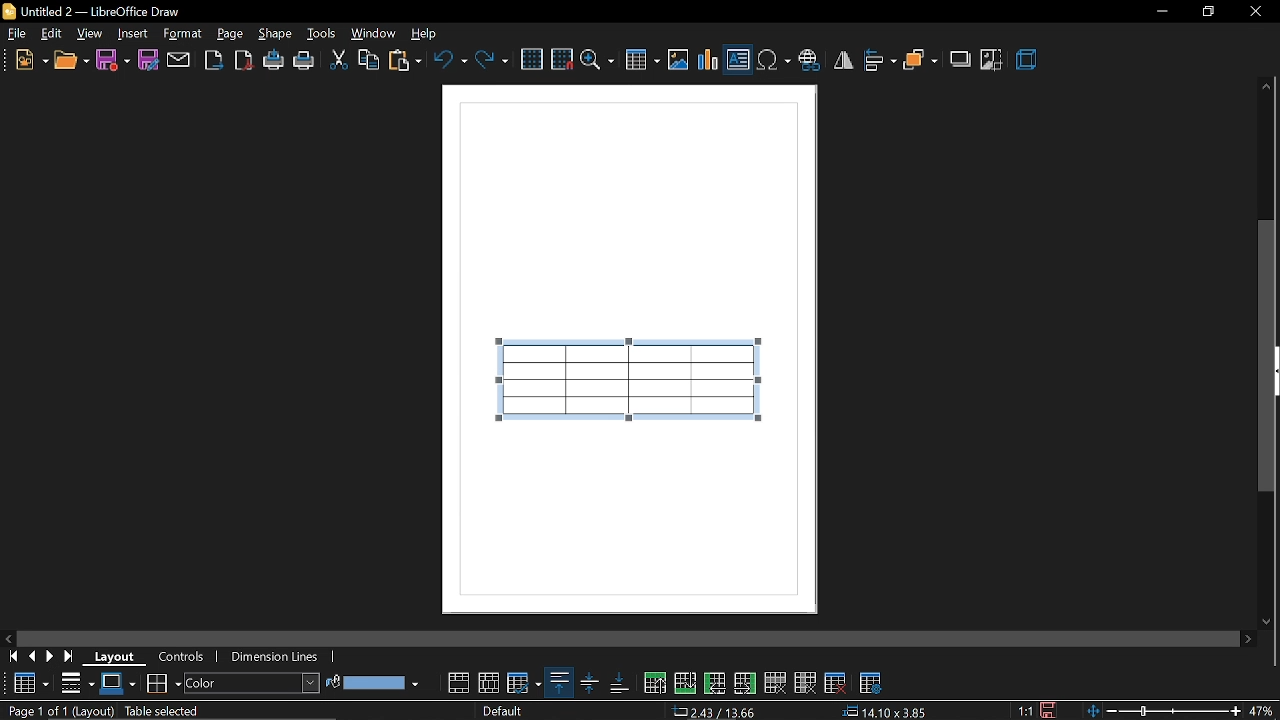 The image size is (1280, 720). What do you see at coordinates (214, 61) in the screenshot?
I see `export as` at bounding box center [214, 61].